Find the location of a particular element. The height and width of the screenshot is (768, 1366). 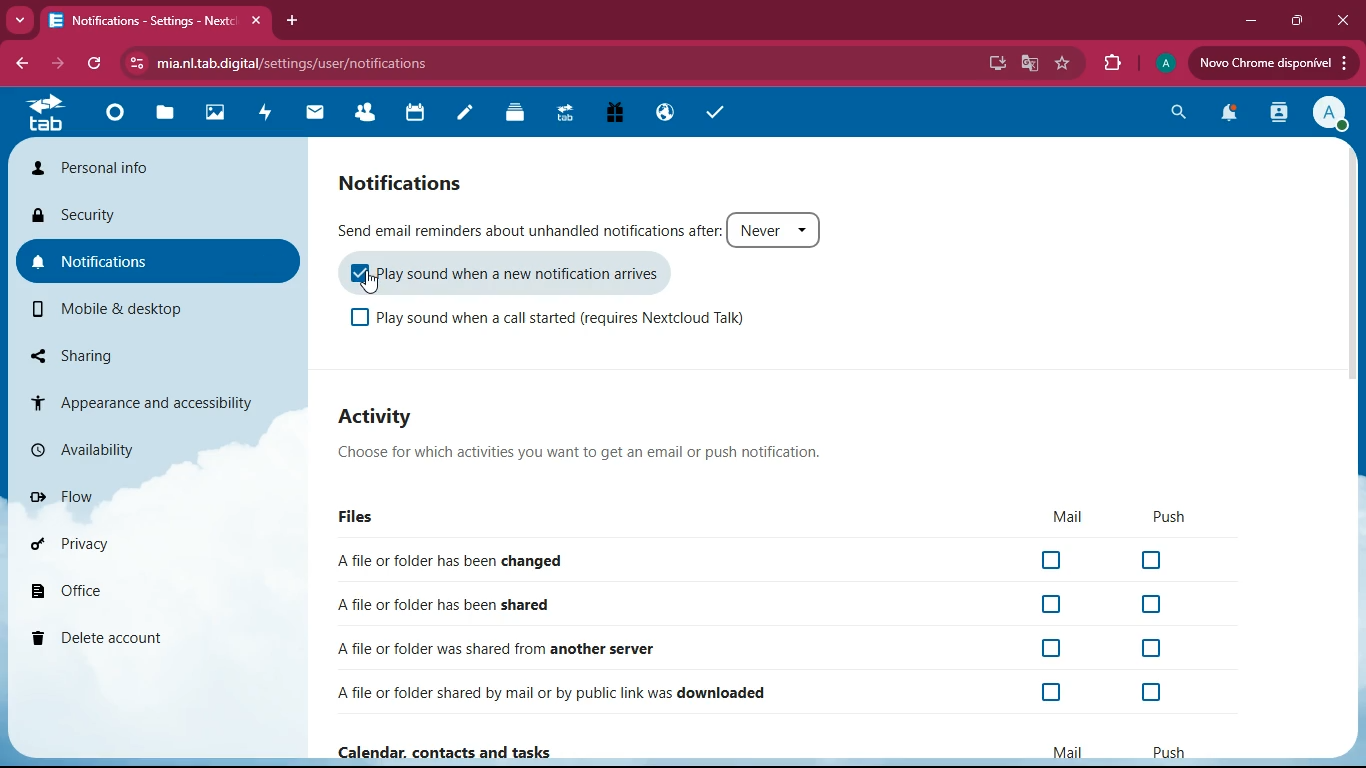

notification is located at coordinates (420, 182).